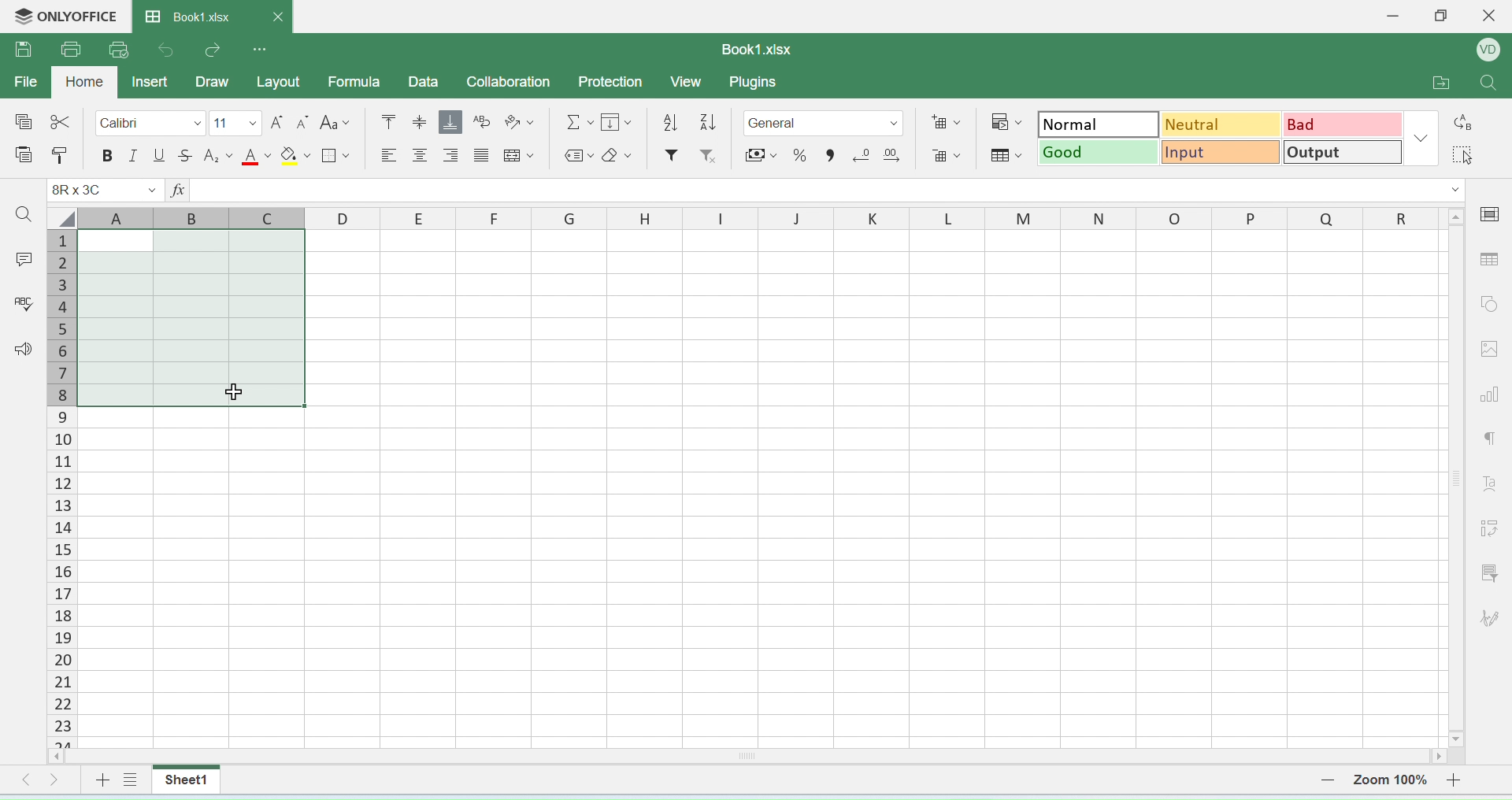 The height and width of the screenshot is (800, 1512). Describe the element at coordinates (1456, 473) in the screenshot. I see `scroll bar` at that location.